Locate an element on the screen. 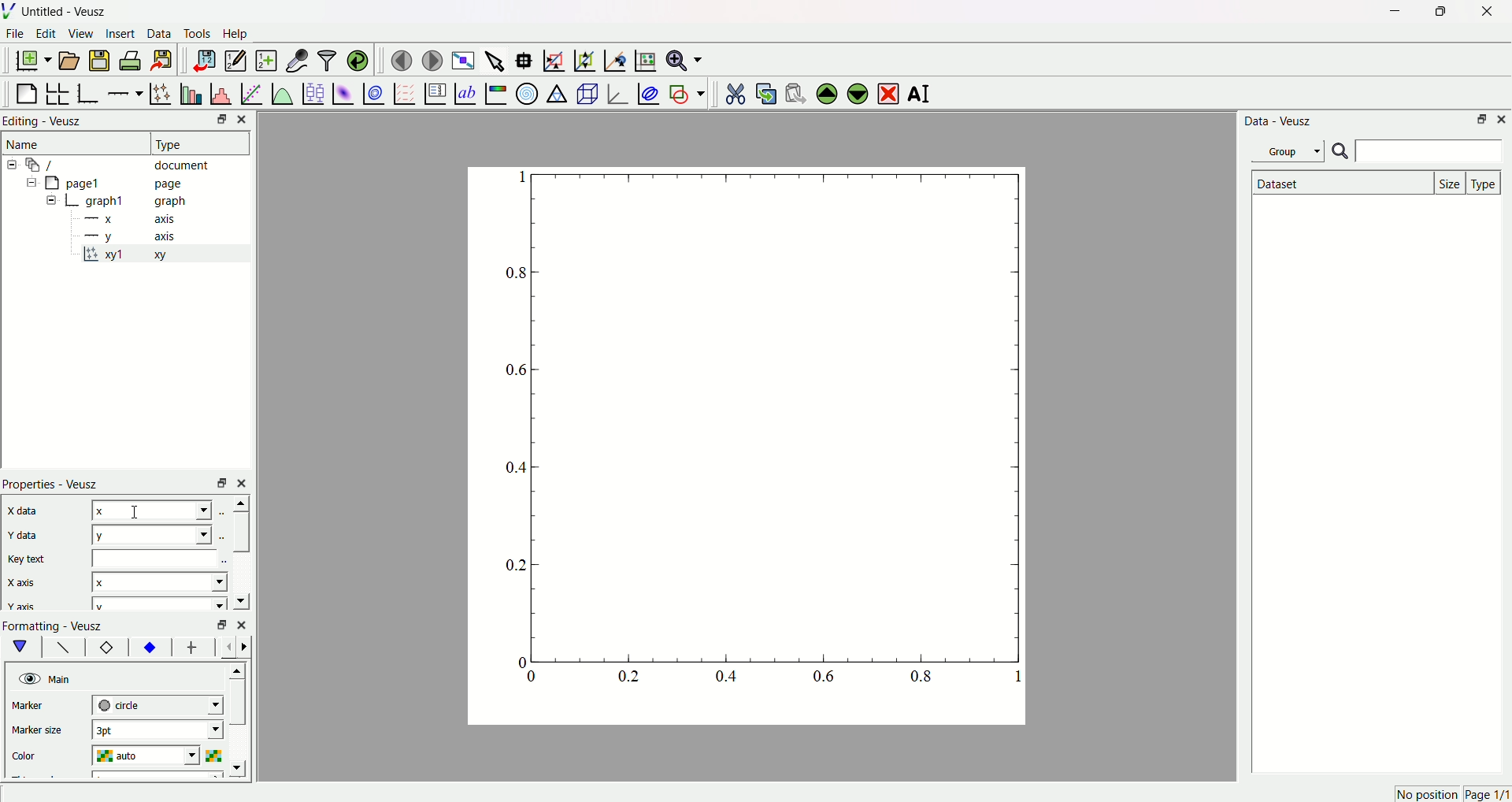 Image resolution: width=1512 pixels, height=802 pixels. add axis is located at coordinates (125, 91).